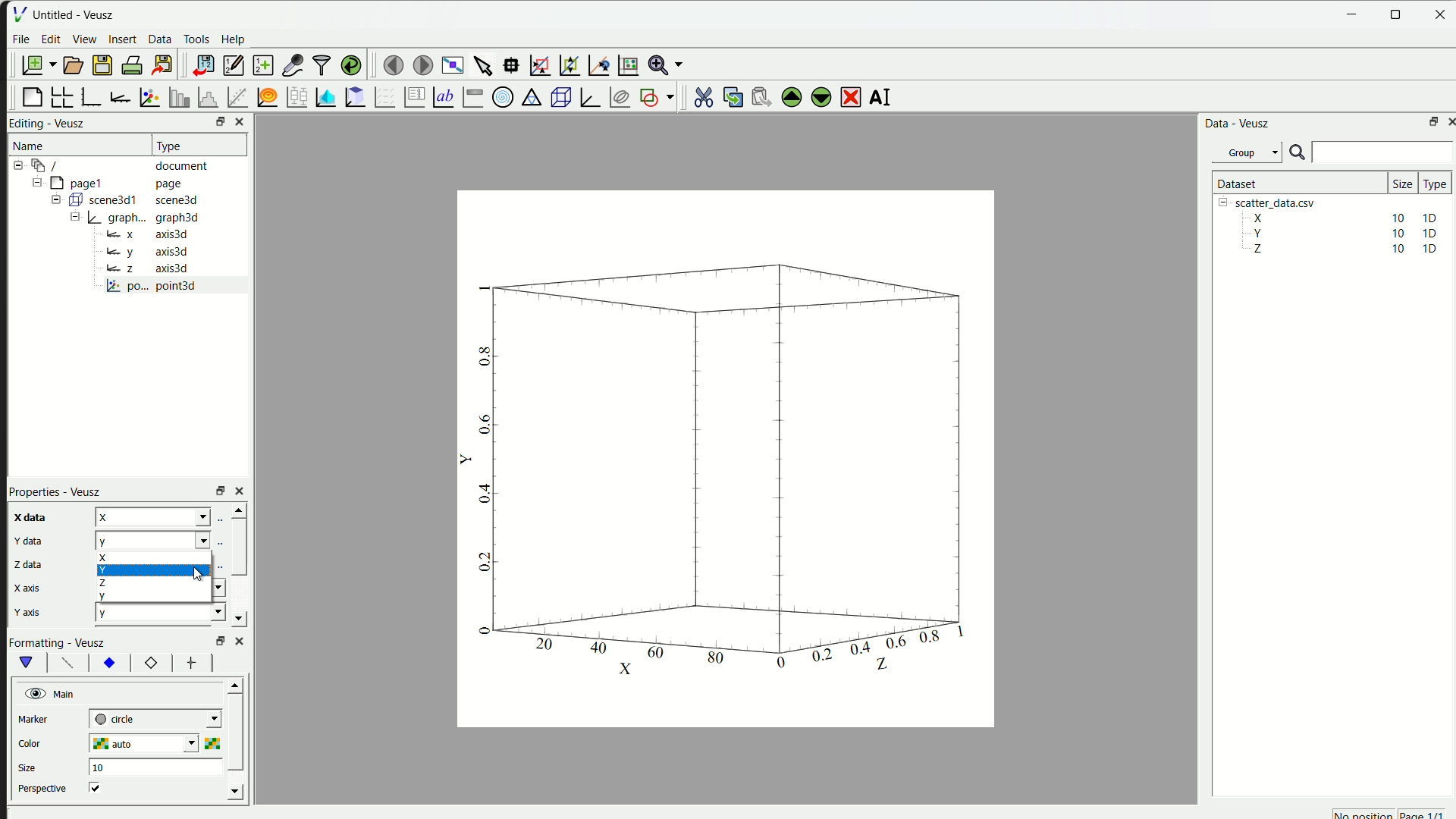  I want to click on = [MY pagel page, so click(117, 181).